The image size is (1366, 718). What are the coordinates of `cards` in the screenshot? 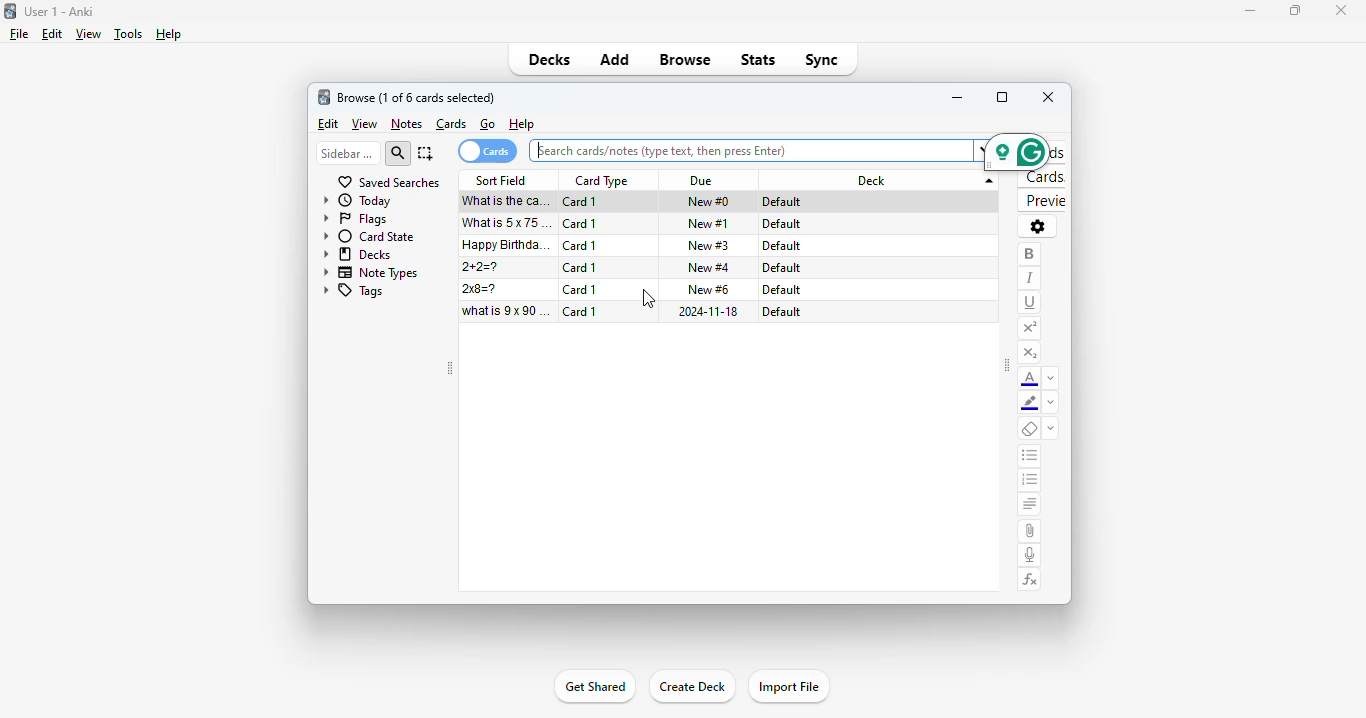 It's located at (1042, 178).